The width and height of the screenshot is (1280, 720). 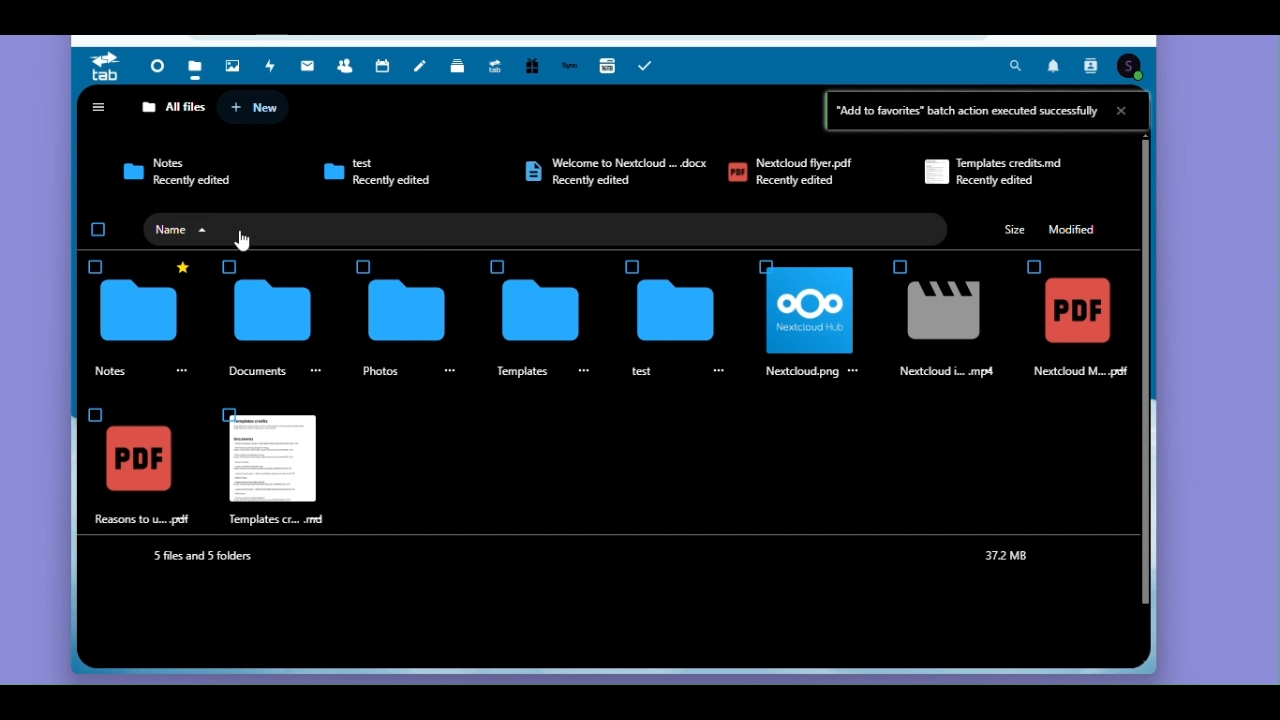 What do you see at coordinates (96, 266) in the screenshot?
I see `Check Box` at bounding box center [96, 266].